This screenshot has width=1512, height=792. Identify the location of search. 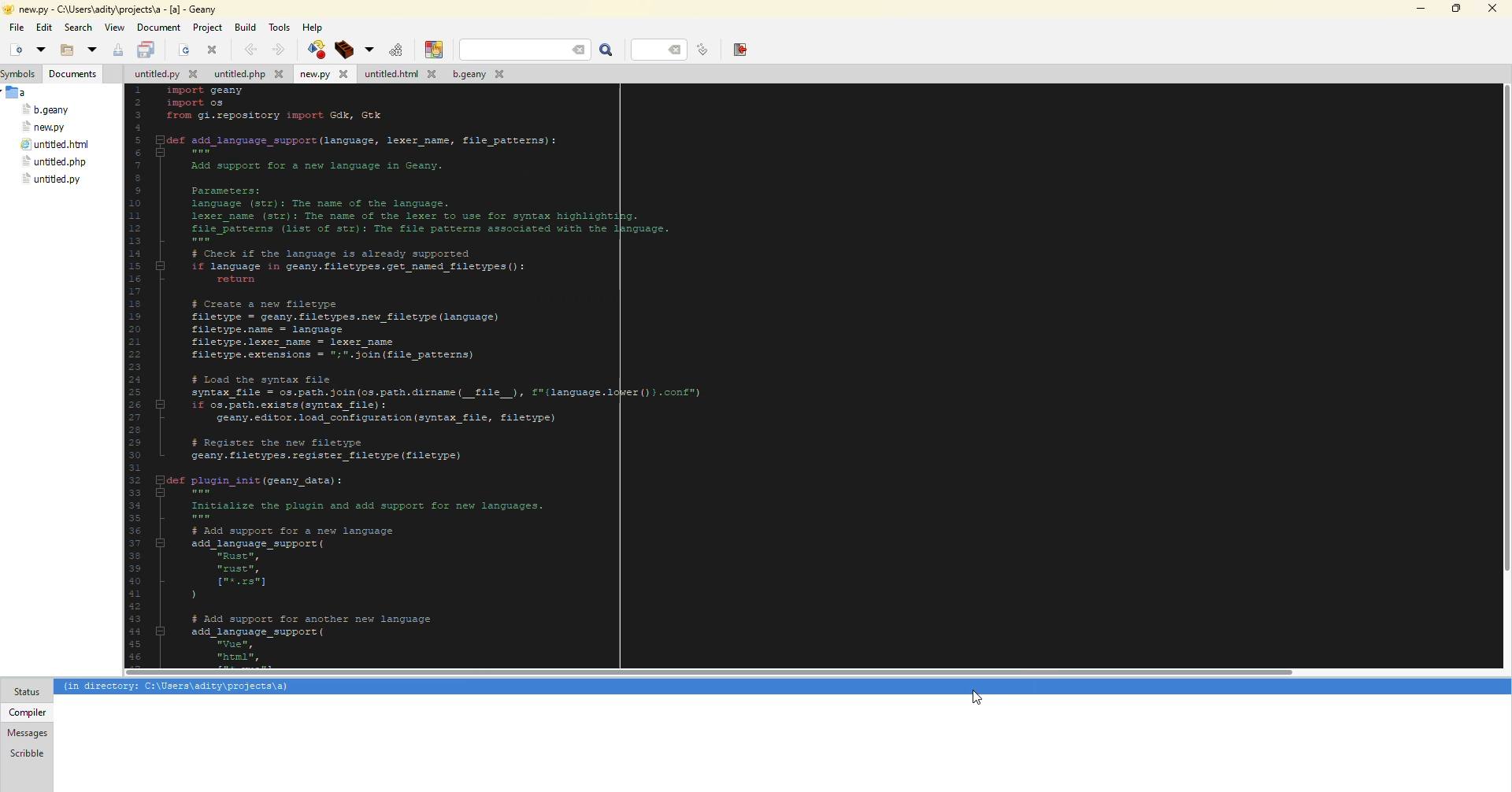
(607, 50).